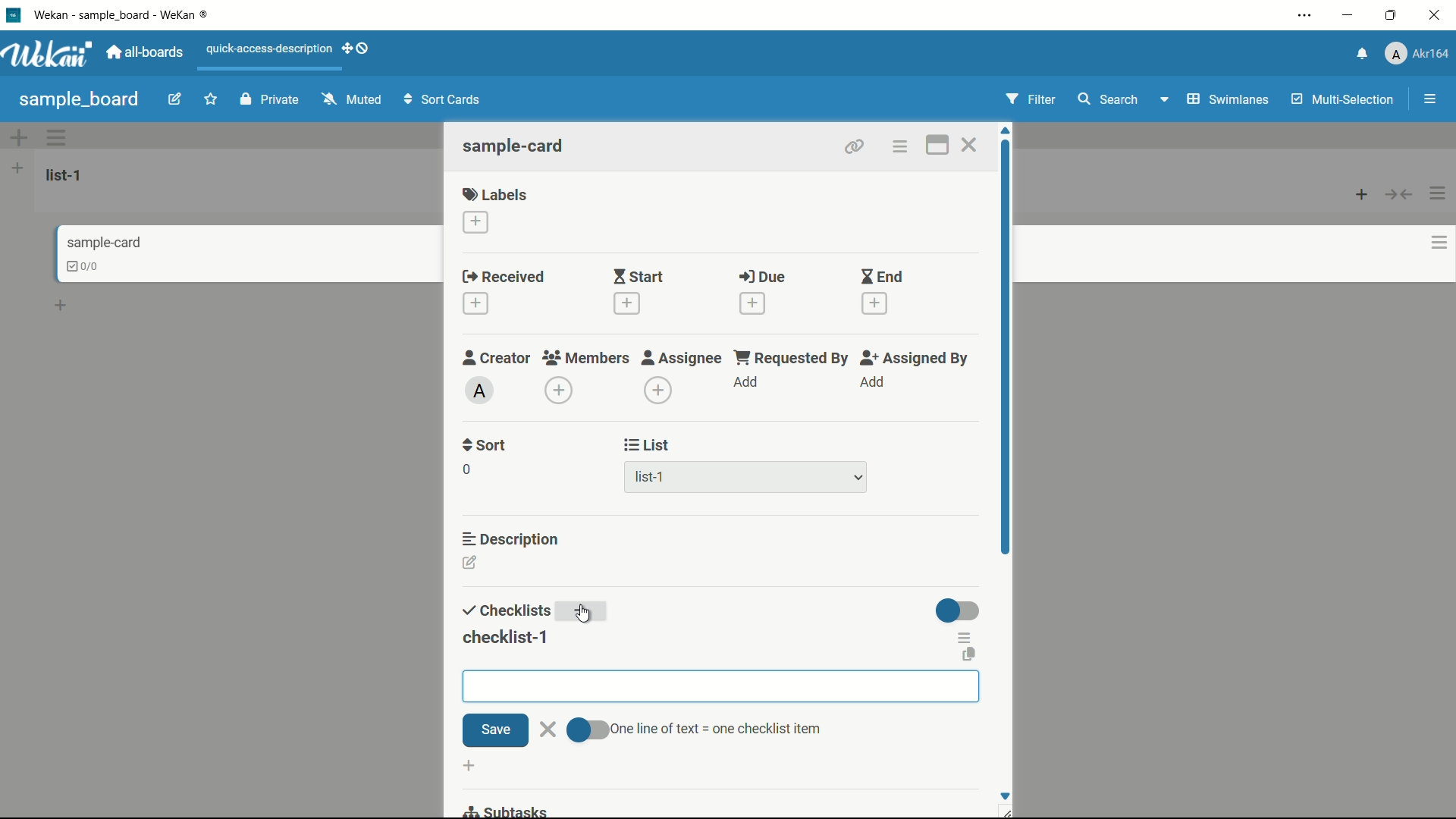  What do you see at coordinates (752, 303) in the screenshot?
I see `add date` at bounding box center [752, 303].